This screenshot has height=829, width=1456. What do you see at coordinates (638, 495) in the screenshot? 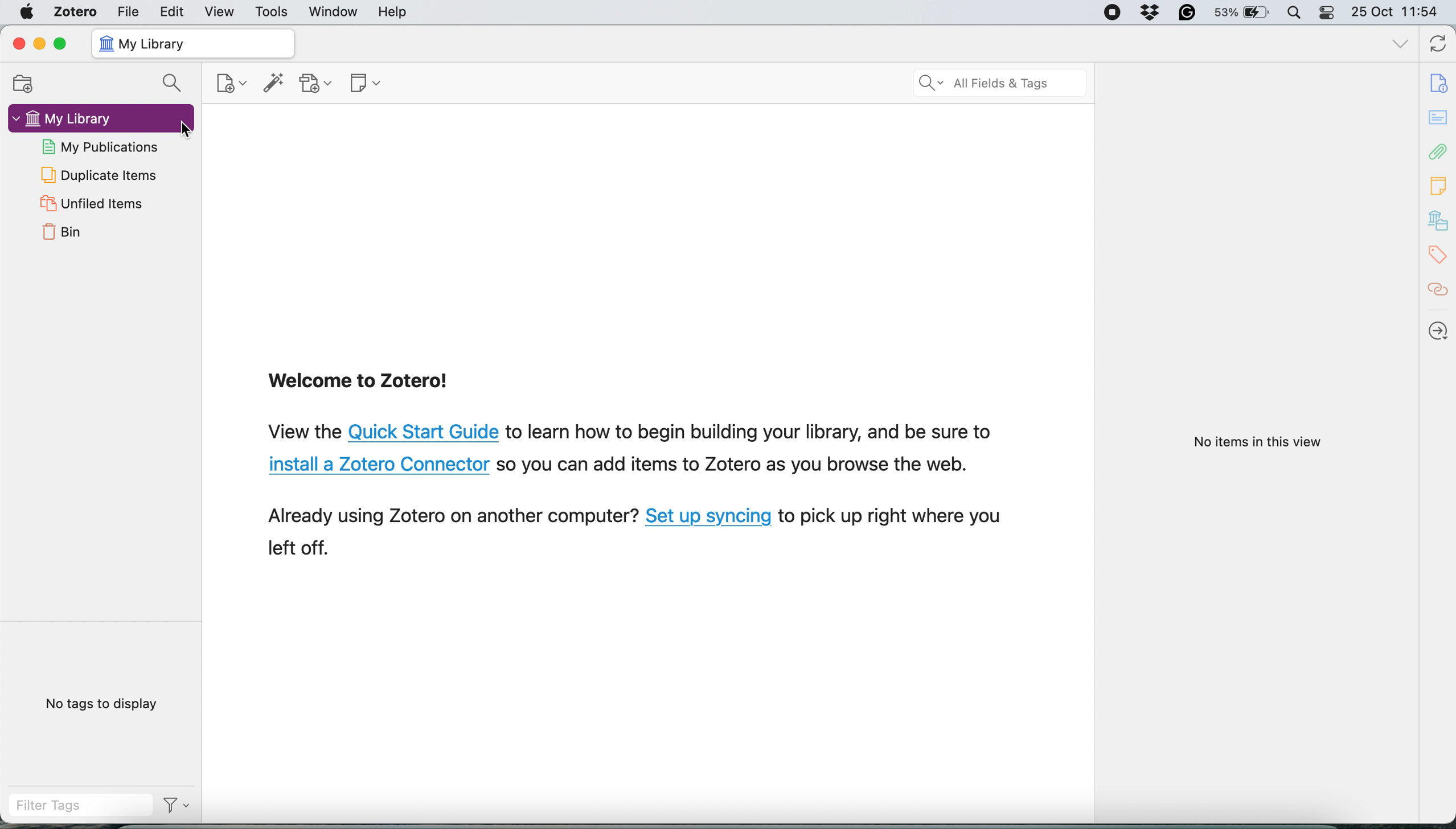
I see `View the Quick Start Guide to learn how to begin building your library, and be sure to install a Zotero Connector so you can add items to Zotero as you browse the web. Already using Zotero on another computer? Set up syncing to pick up right where you left off.` at bounding box center [638, 495].